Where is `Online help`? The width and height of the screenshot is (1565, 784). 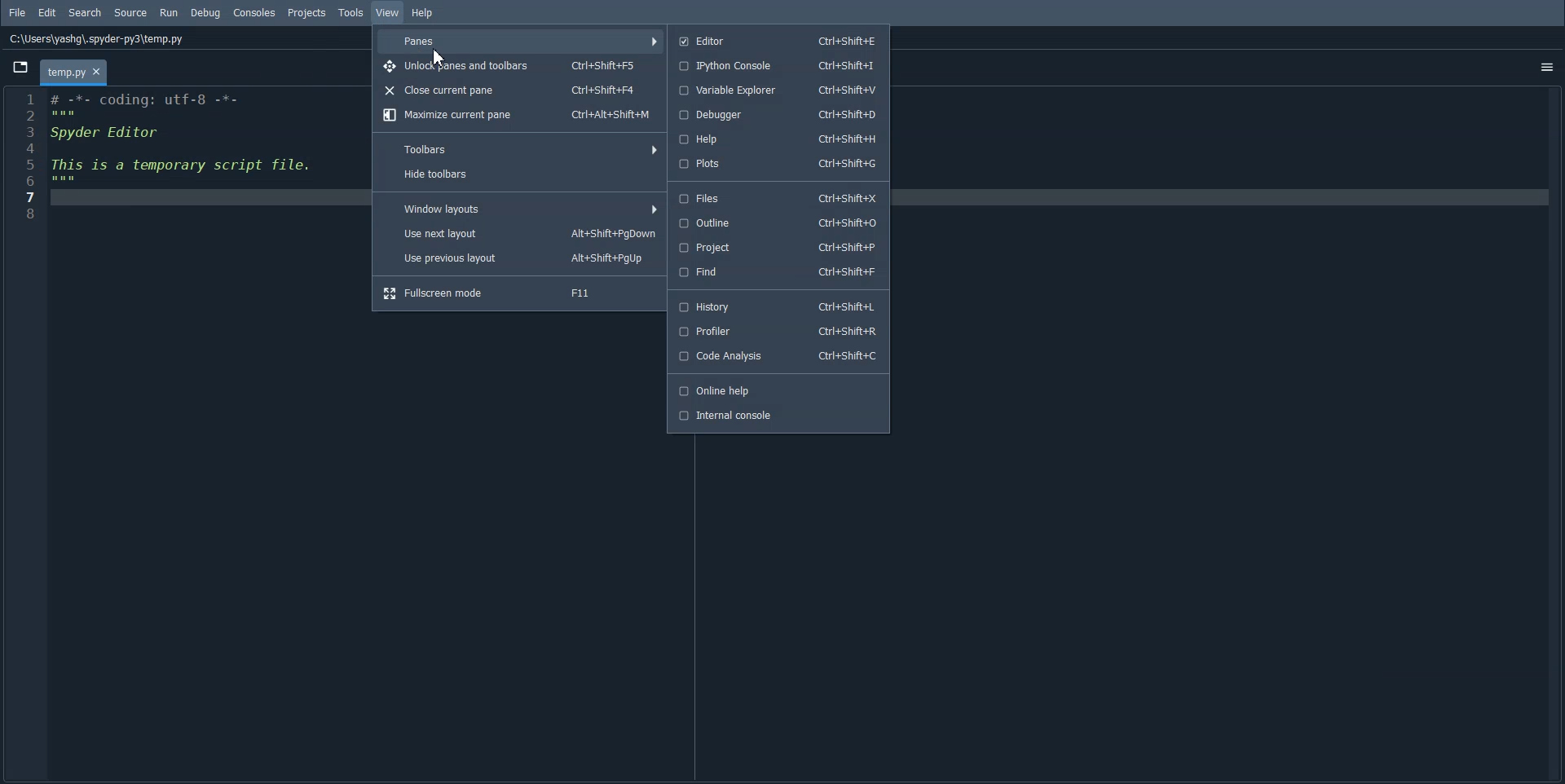
Online help is located at coordinates (778, 390).